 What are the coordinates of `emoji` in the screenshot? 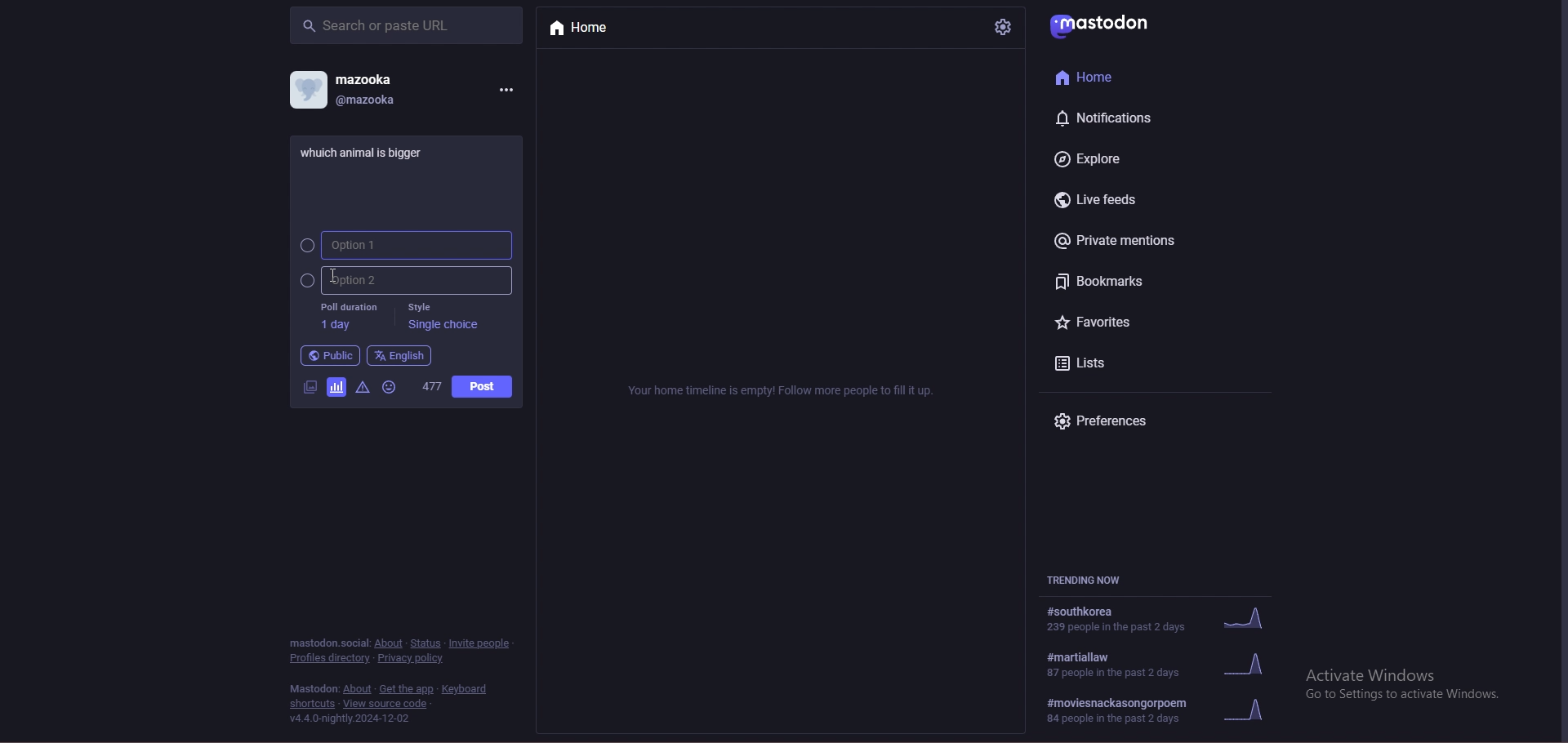 It's located at (393, 387).